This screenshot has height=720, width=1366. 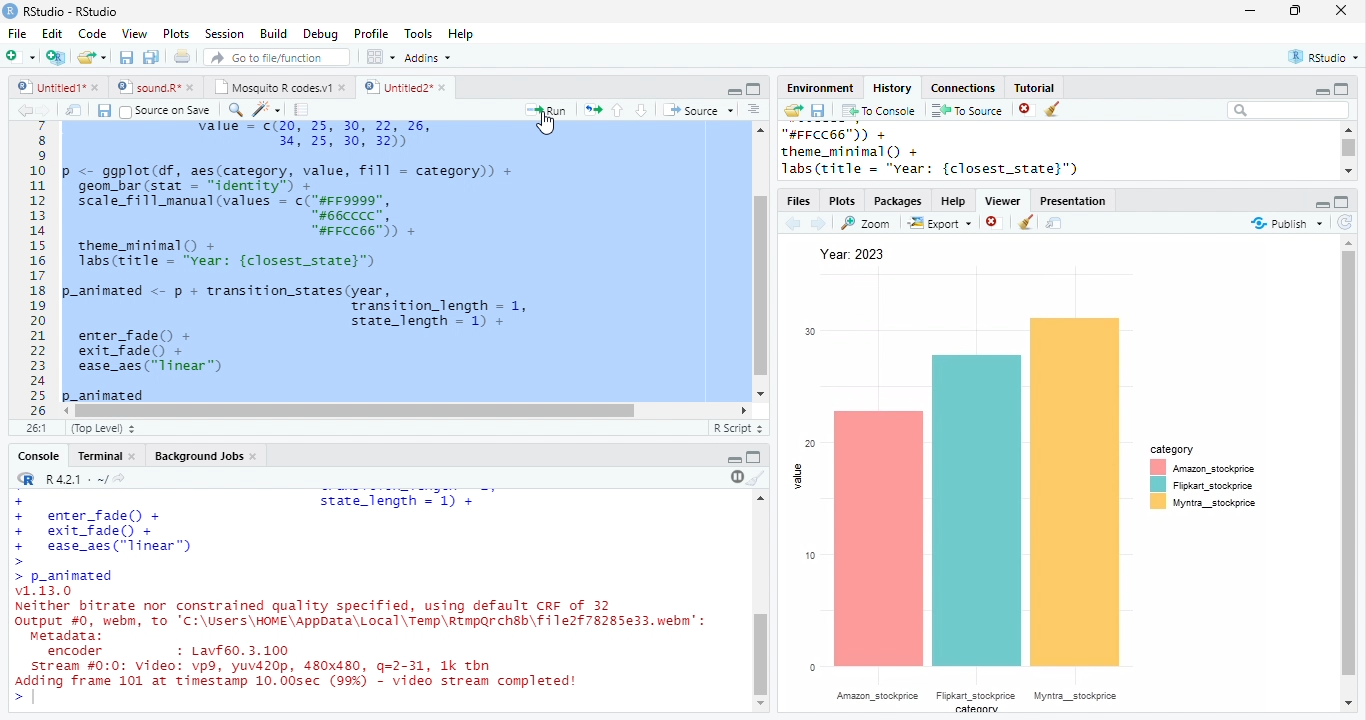 I want to click on Untitled1, so click(x=47, y=86).